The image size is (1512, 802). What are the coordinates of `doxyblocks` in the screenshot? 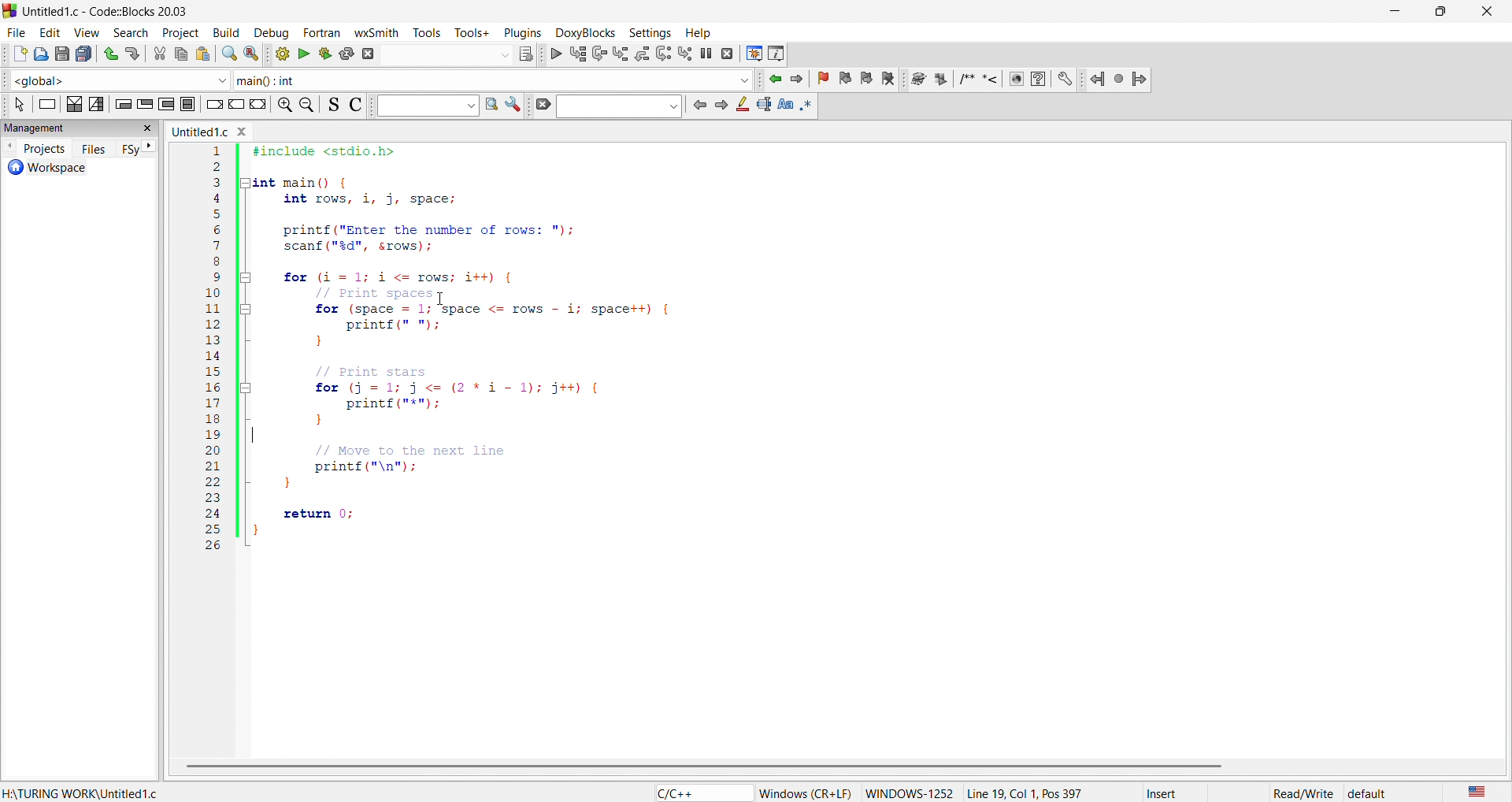 It's located at (583, 31).